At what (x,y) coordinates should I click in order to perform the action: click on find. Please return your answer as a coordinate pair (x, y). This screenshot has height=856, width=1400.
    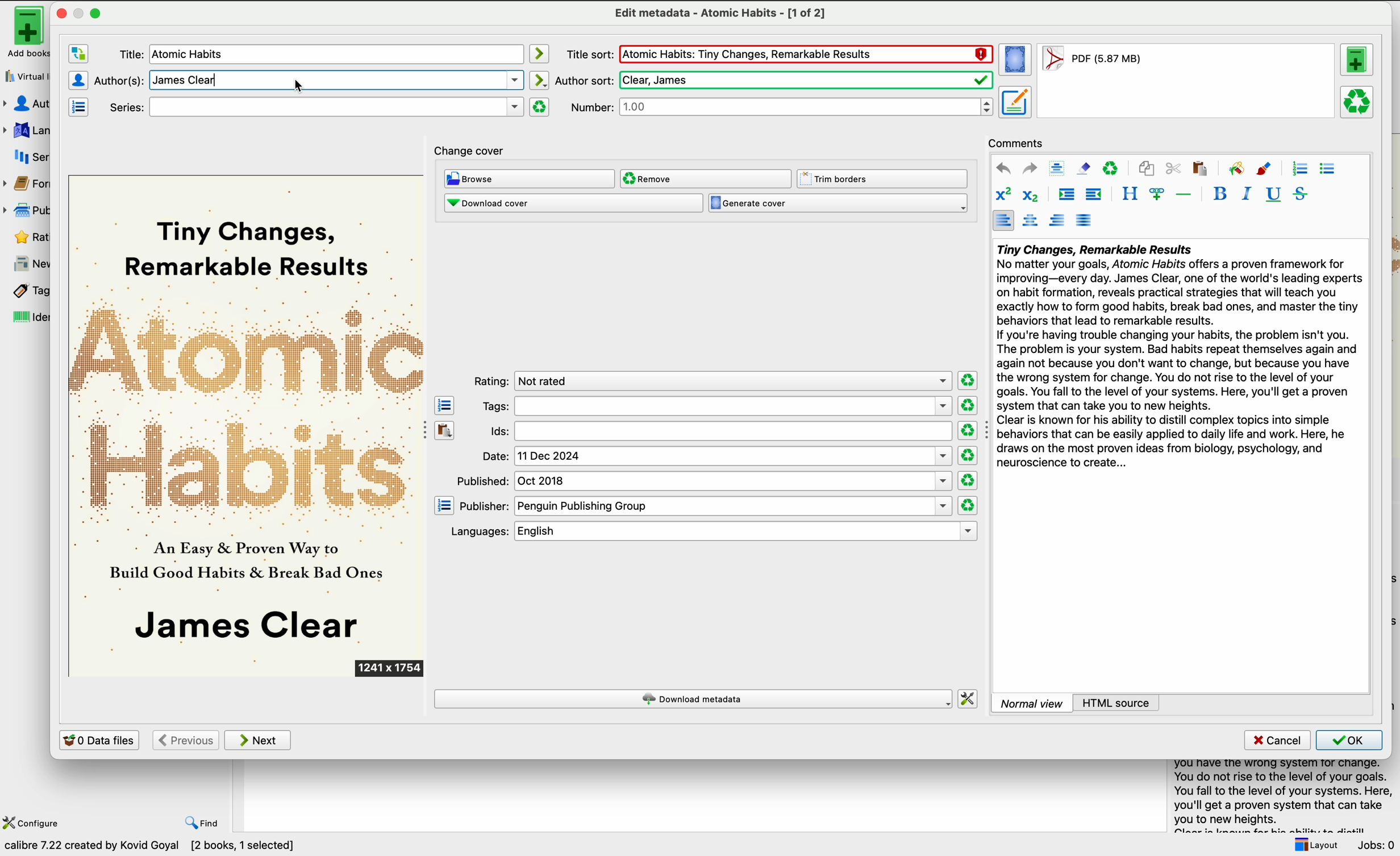
    Looking at the image, I should click on (203, 824).